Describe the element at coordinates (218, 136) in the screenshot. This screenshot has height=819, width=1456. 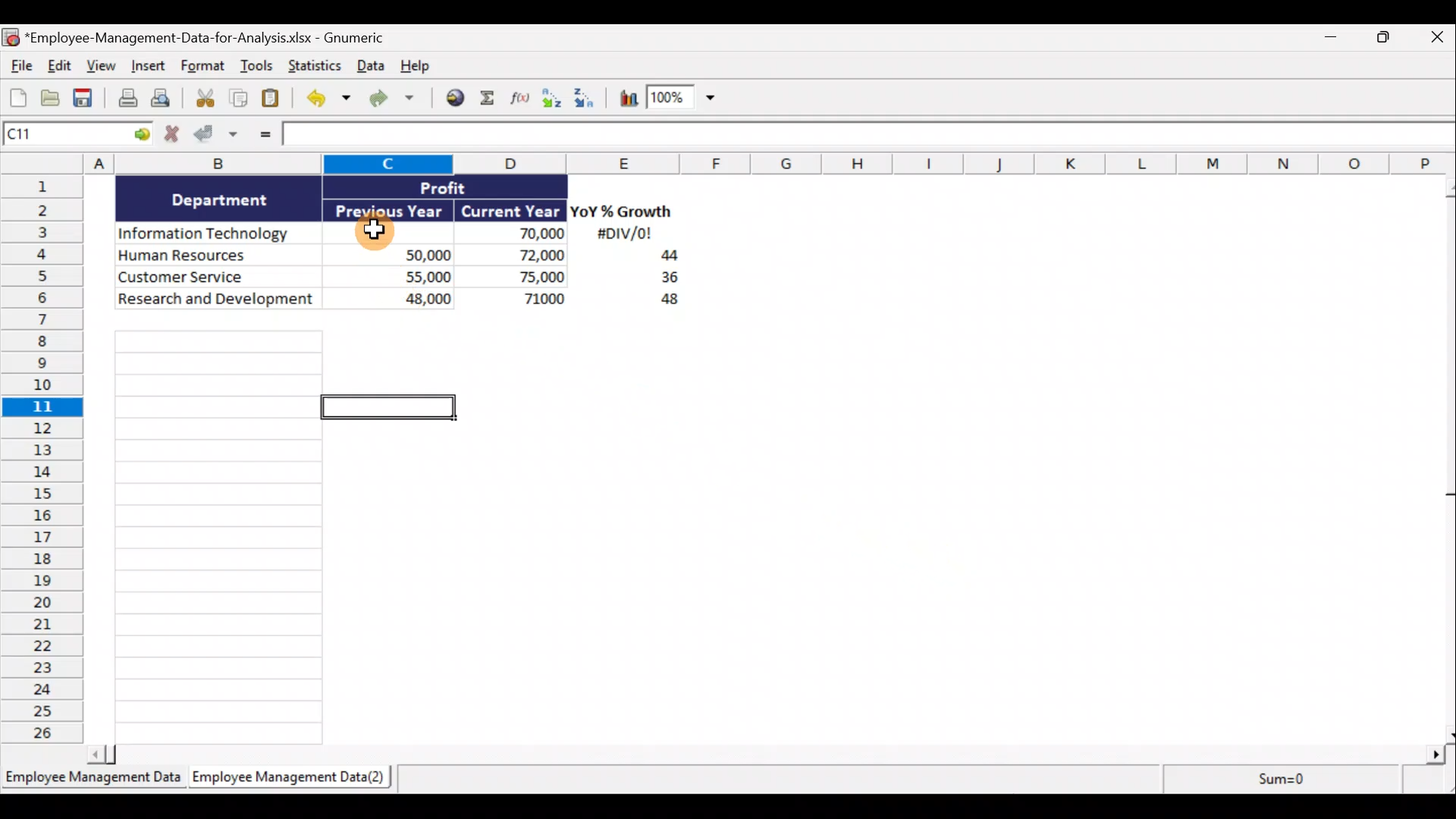
I see `Accept changes` at that location.